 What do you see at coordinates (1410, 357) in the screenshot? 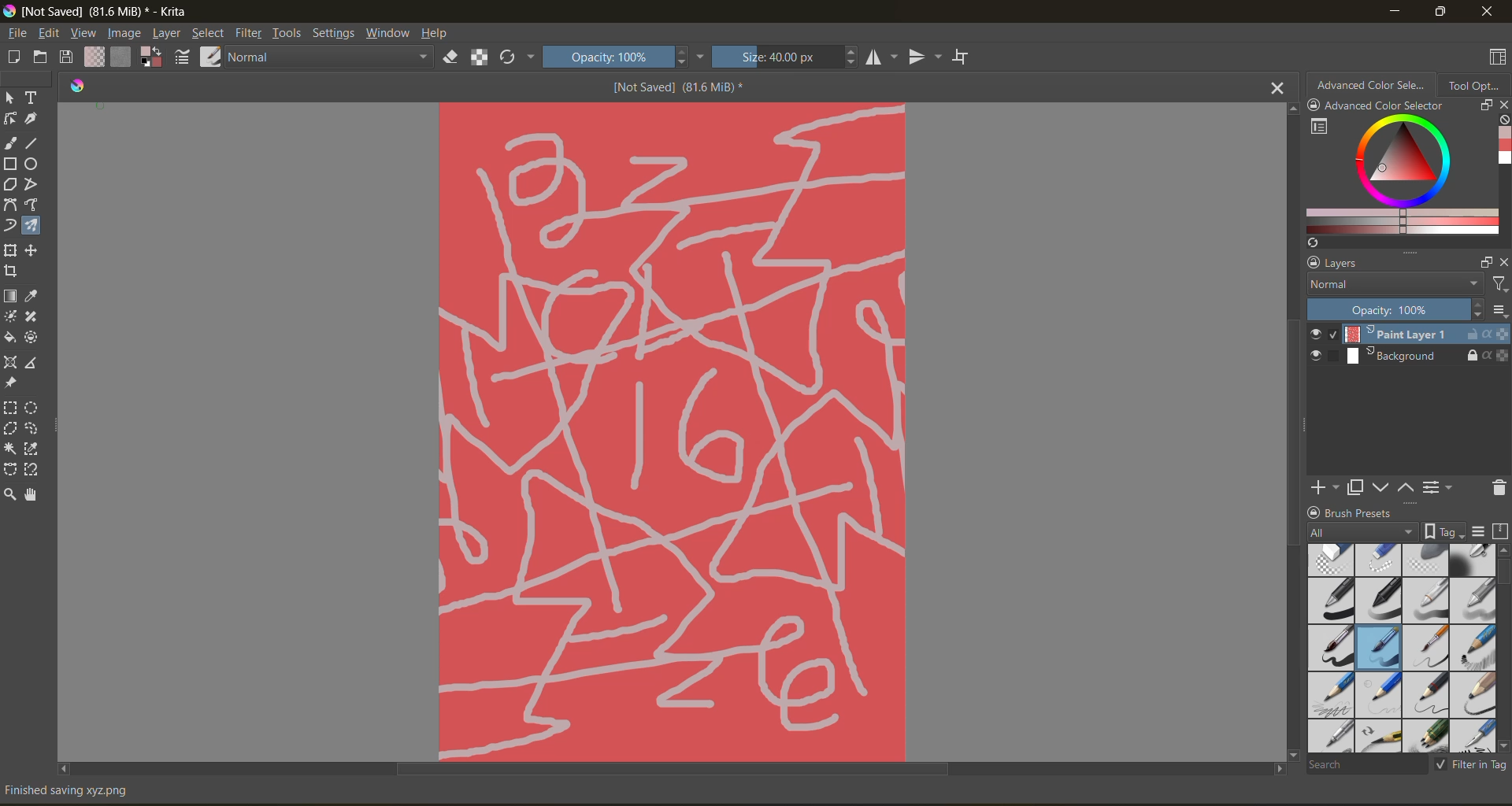
I see `layer` at bounding box center [1410, 357].